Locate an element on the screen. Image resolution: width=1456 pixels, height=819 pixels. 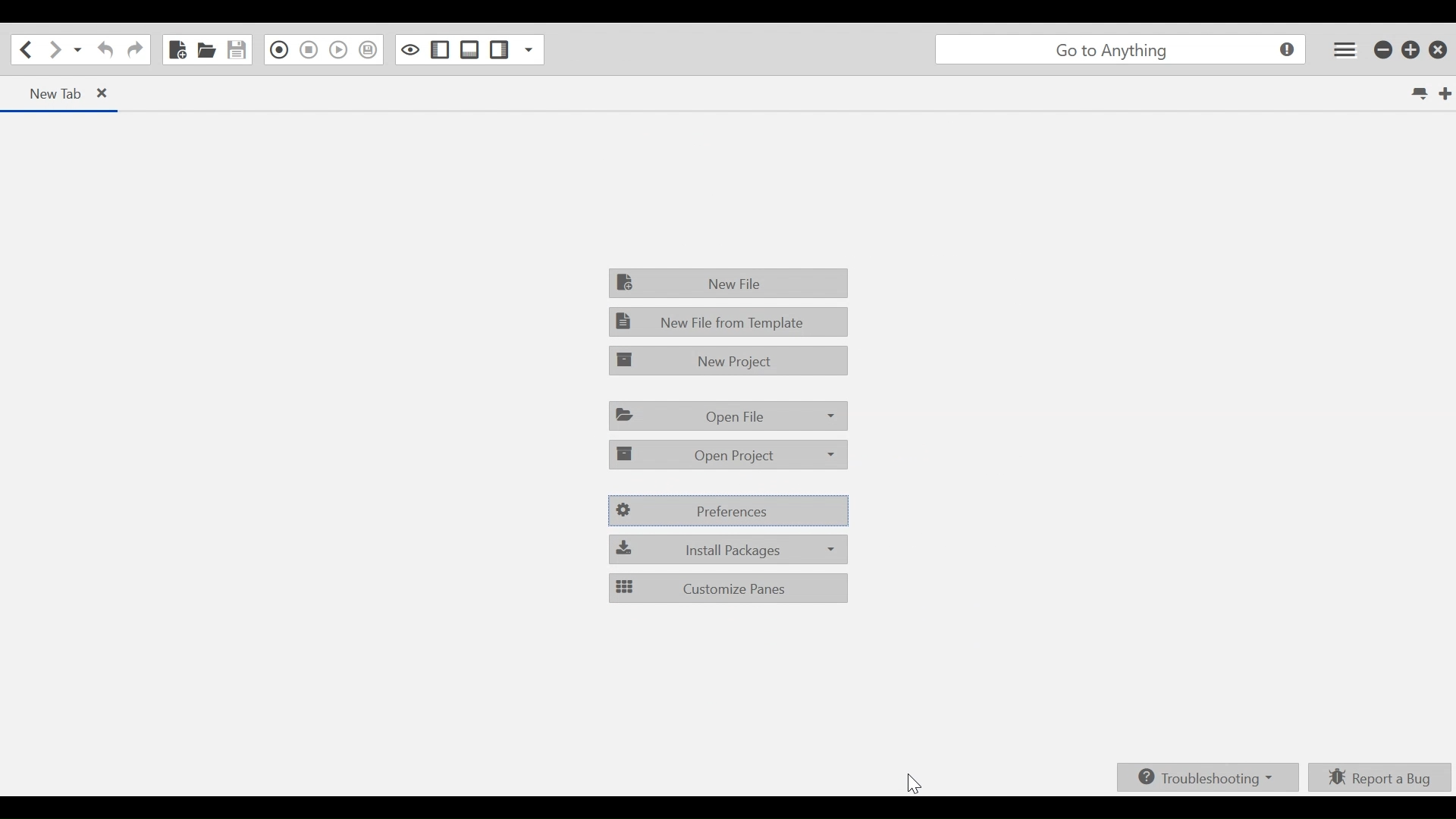
Open File is located at coordinates (727, 416).